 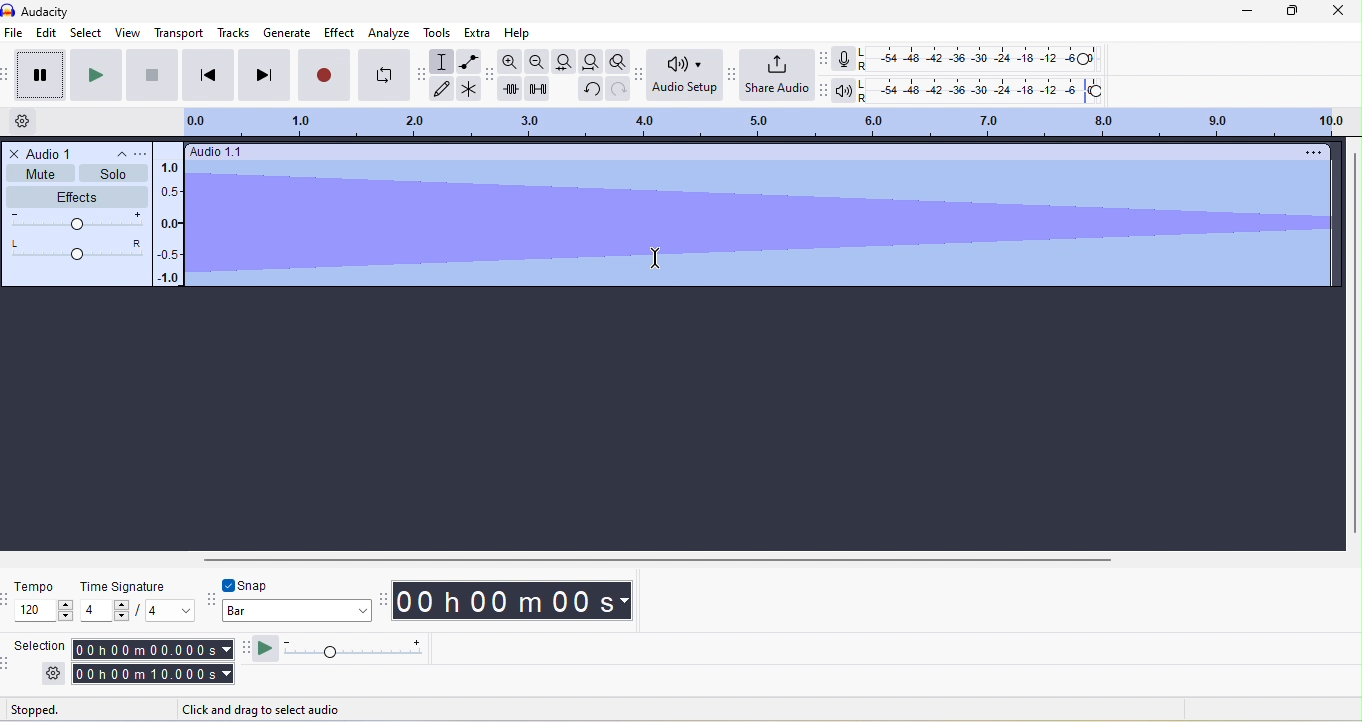 What do you see at coordinates (765, 558) in the screenshot?
I see `horizontal scroll bar` at bounding box center [765, 558].